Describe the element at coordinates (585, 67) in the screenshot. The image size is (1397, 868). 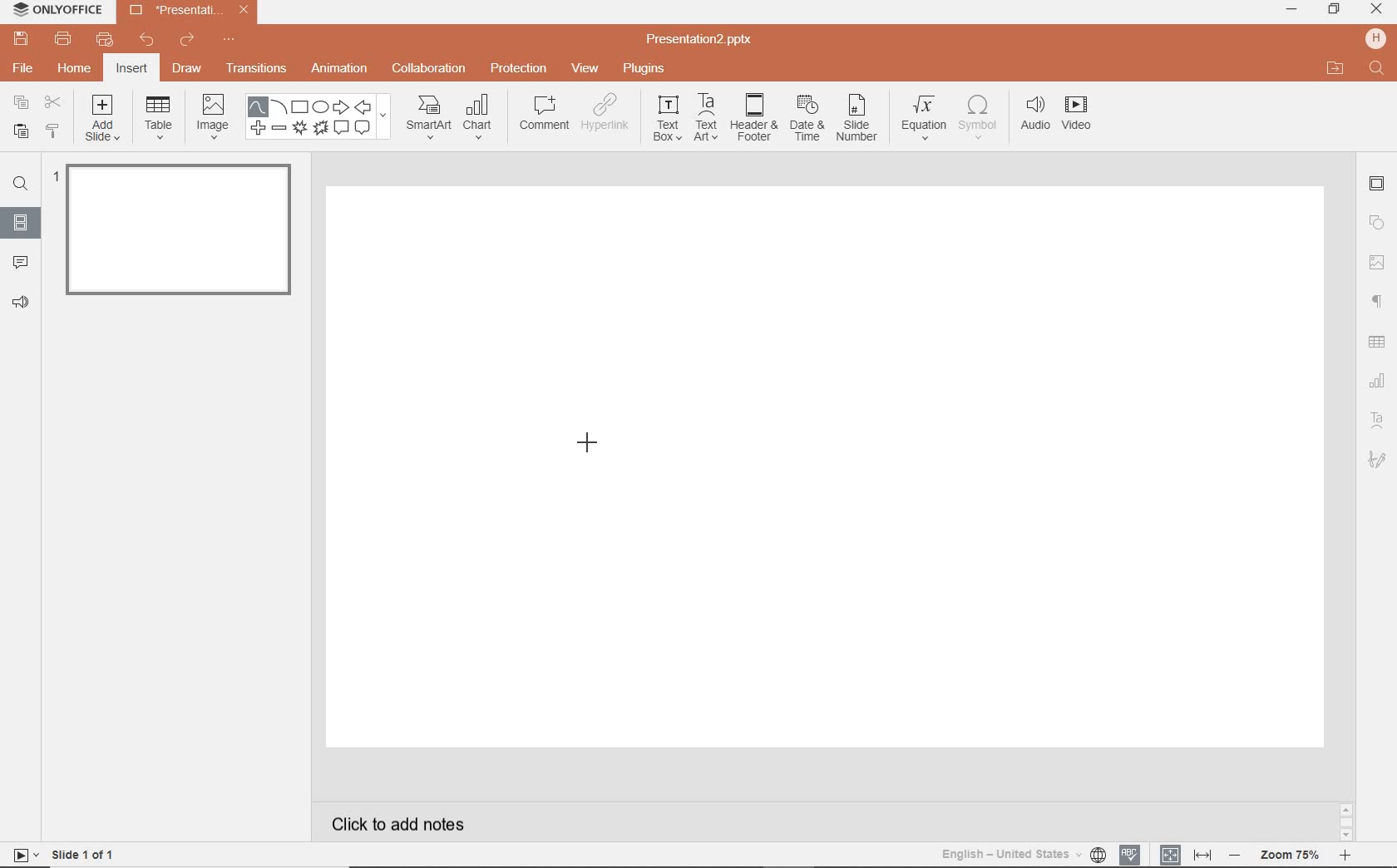
I see `VIEW` at that location.